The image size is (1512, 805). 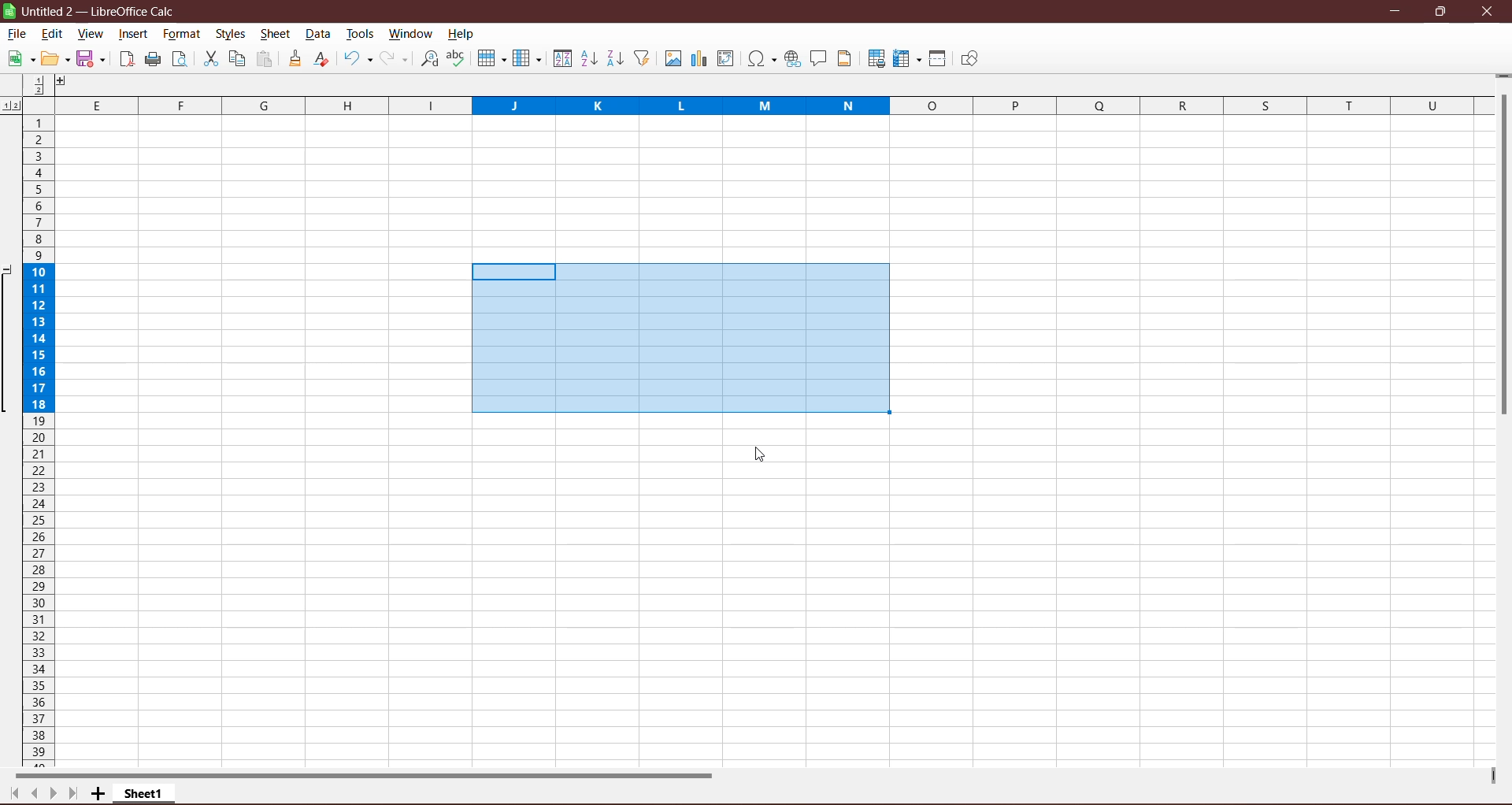 I want to click on Help, so click(x=461, y=35).